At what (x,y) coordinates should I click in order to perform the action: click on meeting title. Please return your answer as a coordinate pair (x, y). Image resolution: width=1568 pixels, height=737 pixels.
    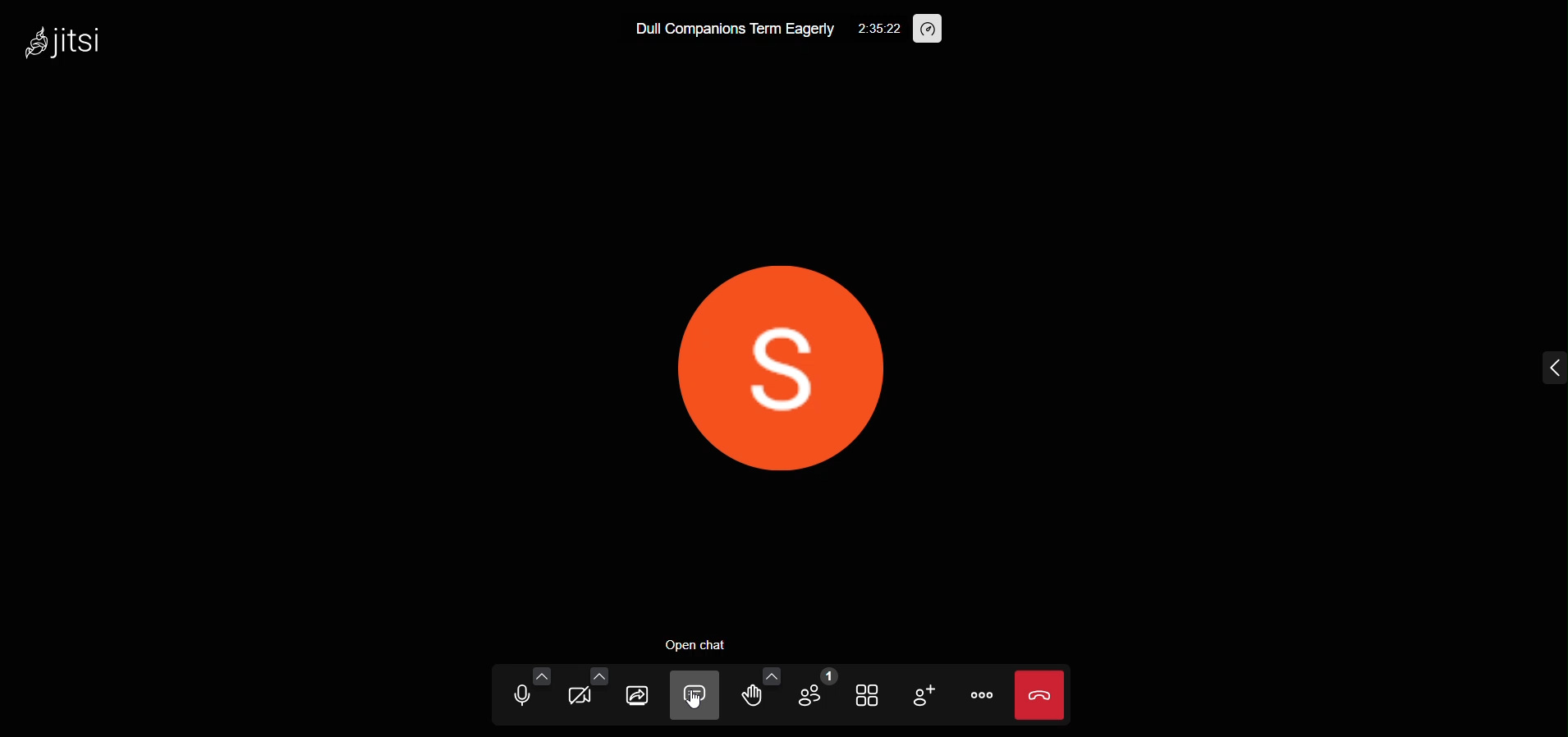
    Looking at the image, I should click on (730, 30).